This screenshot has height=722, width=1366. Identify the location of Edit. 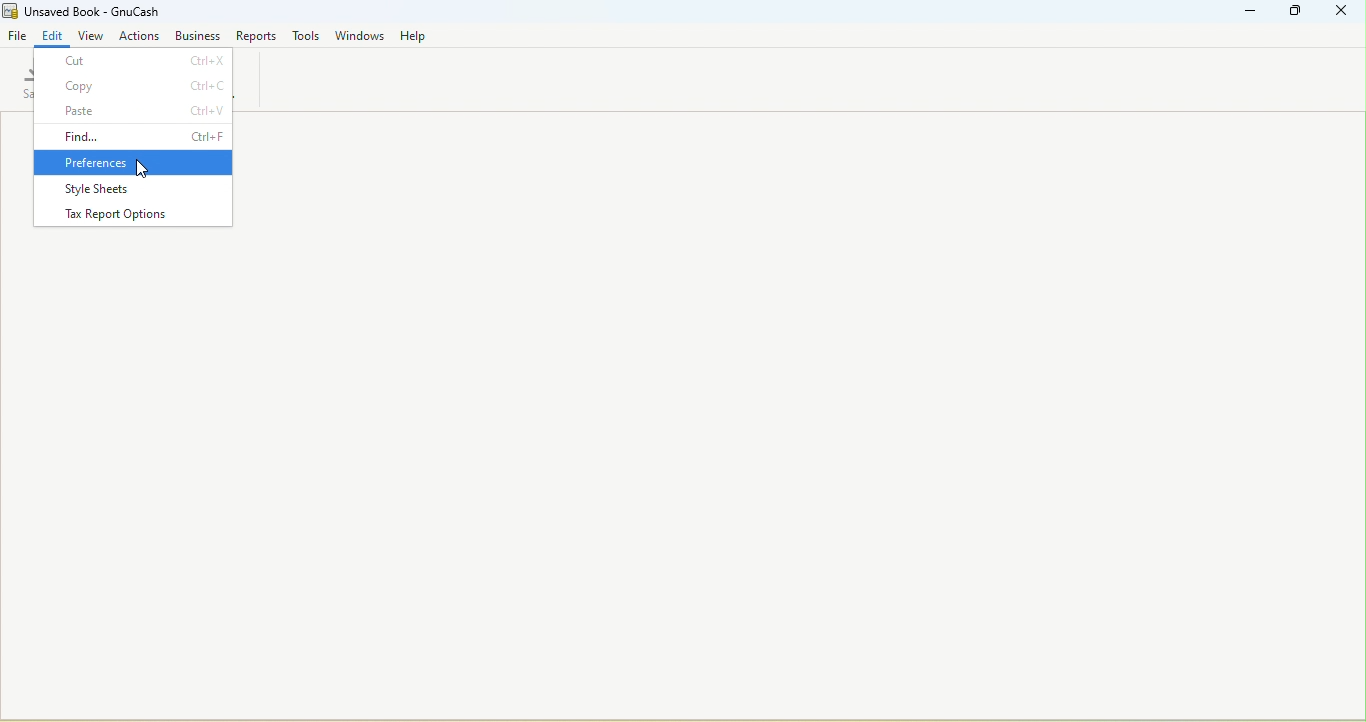
(54, 36).